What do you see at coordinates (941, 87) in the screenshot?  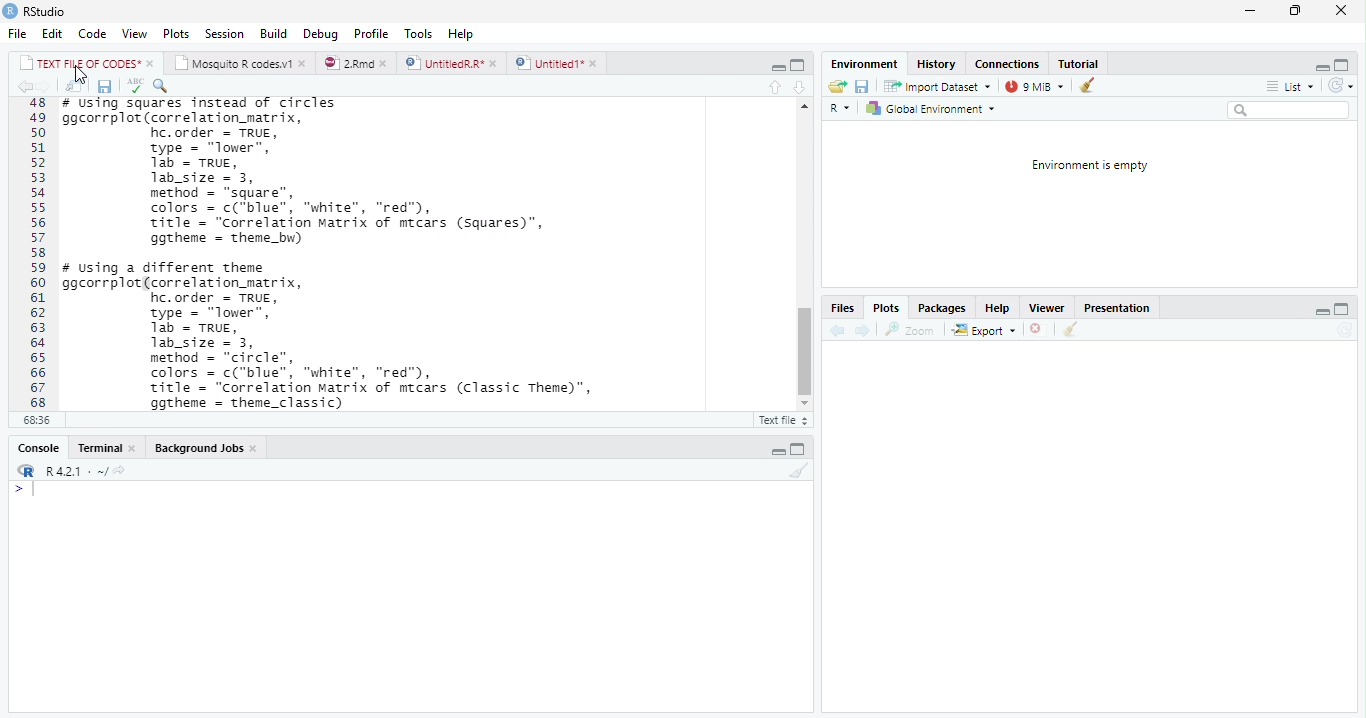 I see `imoort Dataset ~` at bounding box center [941, 87].